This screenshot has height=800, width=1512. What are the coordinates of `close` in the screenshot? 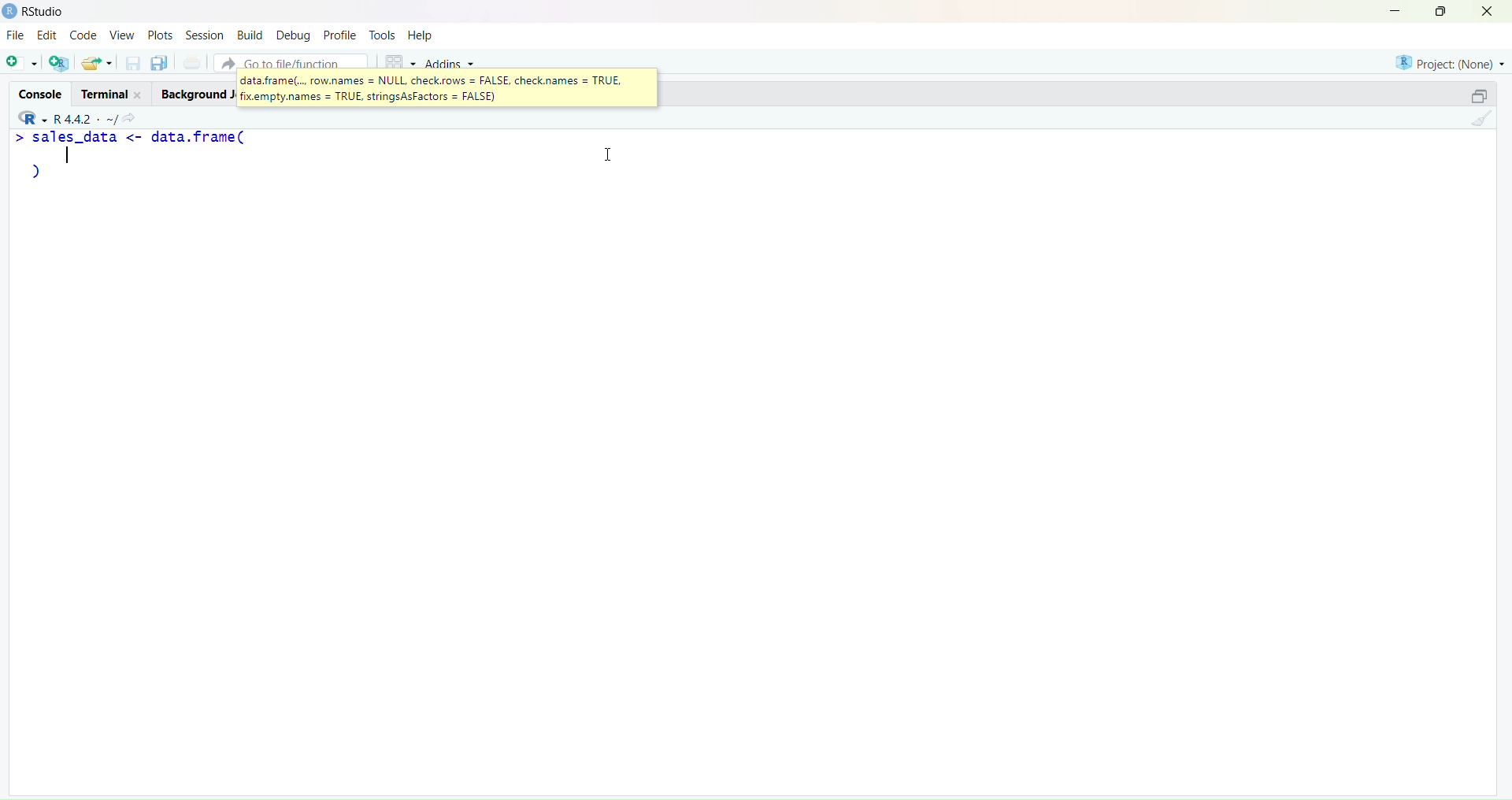 It's located at (1493, 12).